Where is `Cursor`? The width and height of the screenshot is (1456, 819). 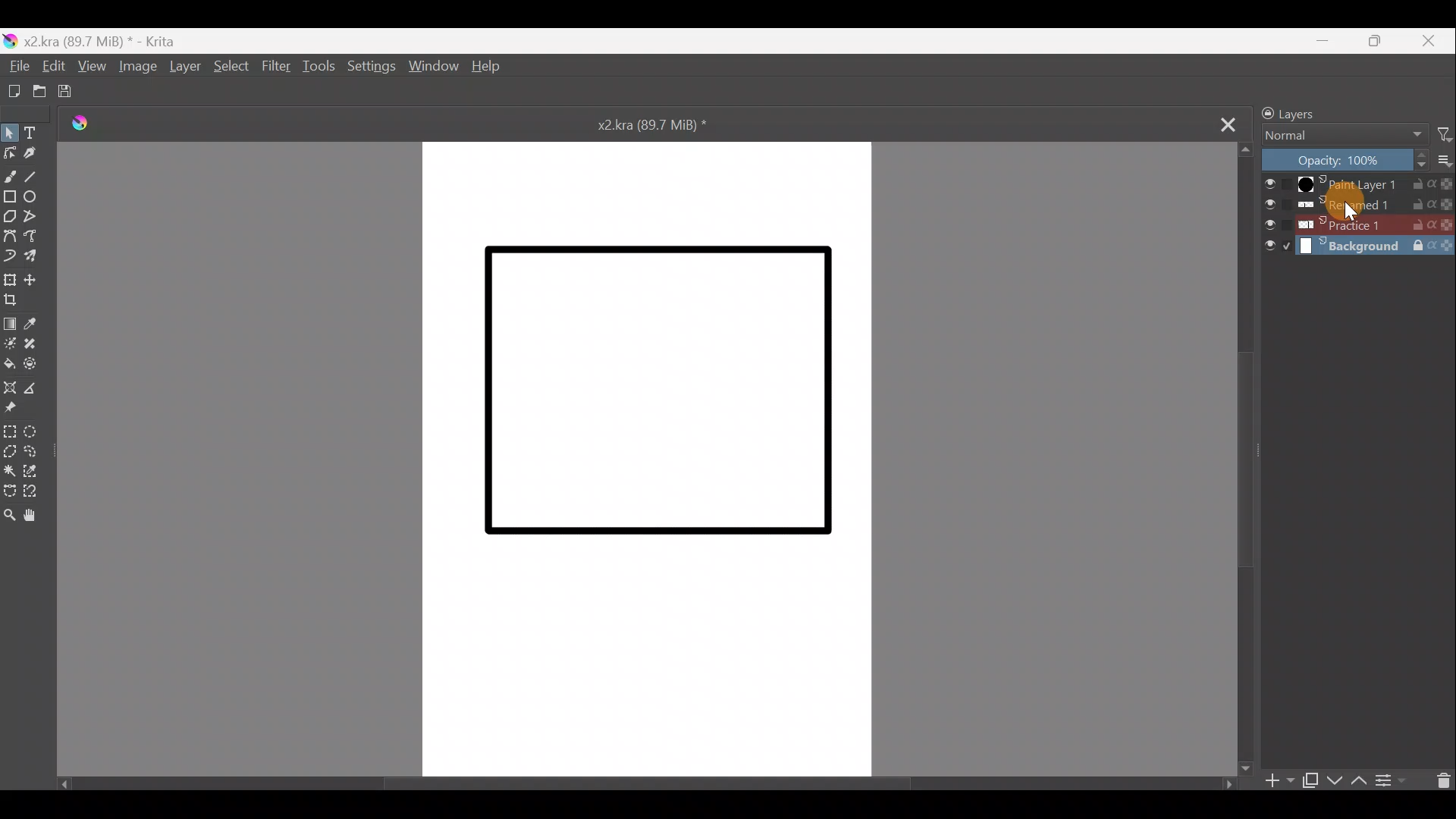
Cursor is located at coordinates (1348, 204).